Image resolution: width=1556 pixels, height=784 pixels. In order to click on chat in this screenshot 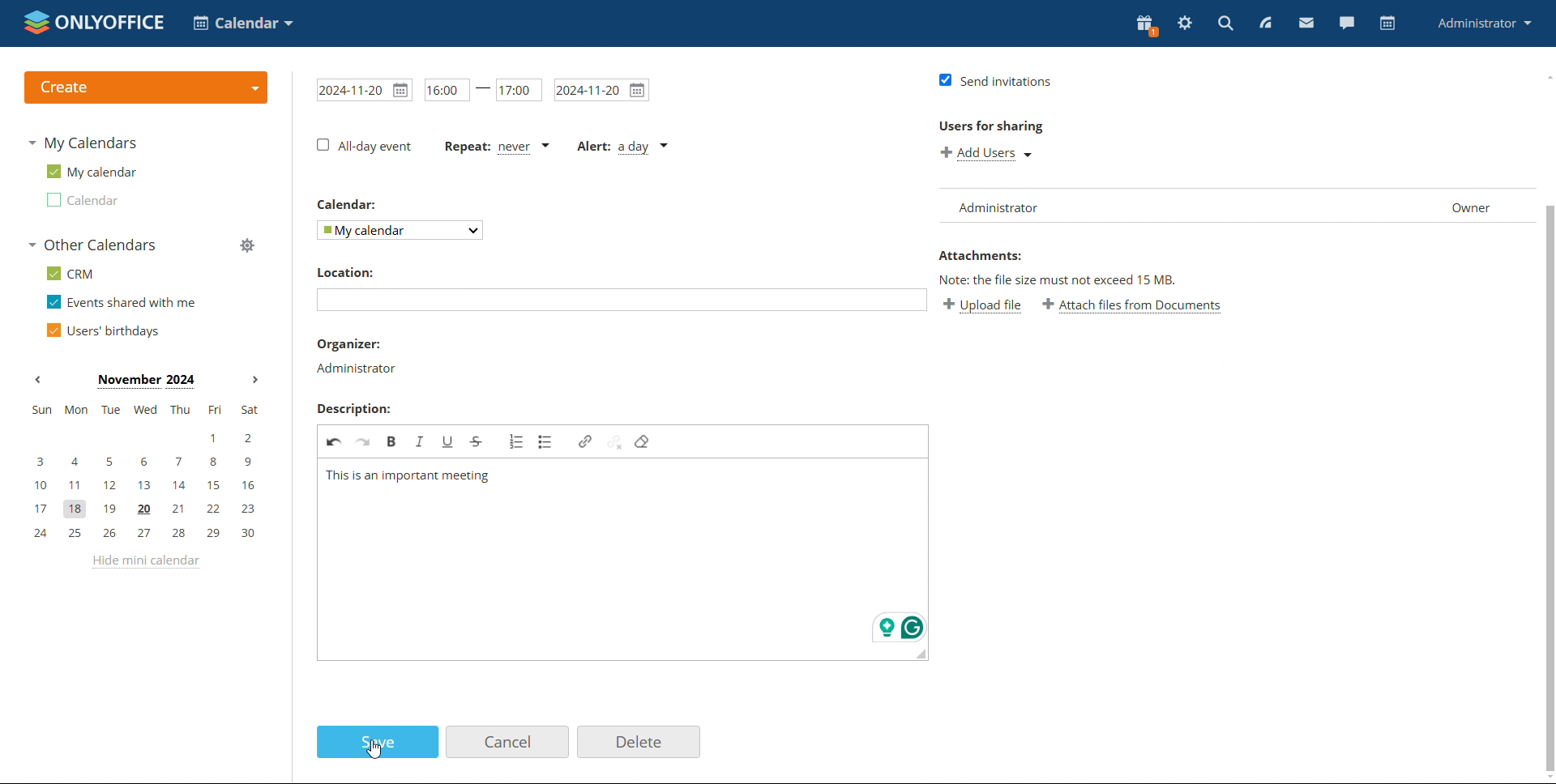, I will do `click(1346, 23)`.